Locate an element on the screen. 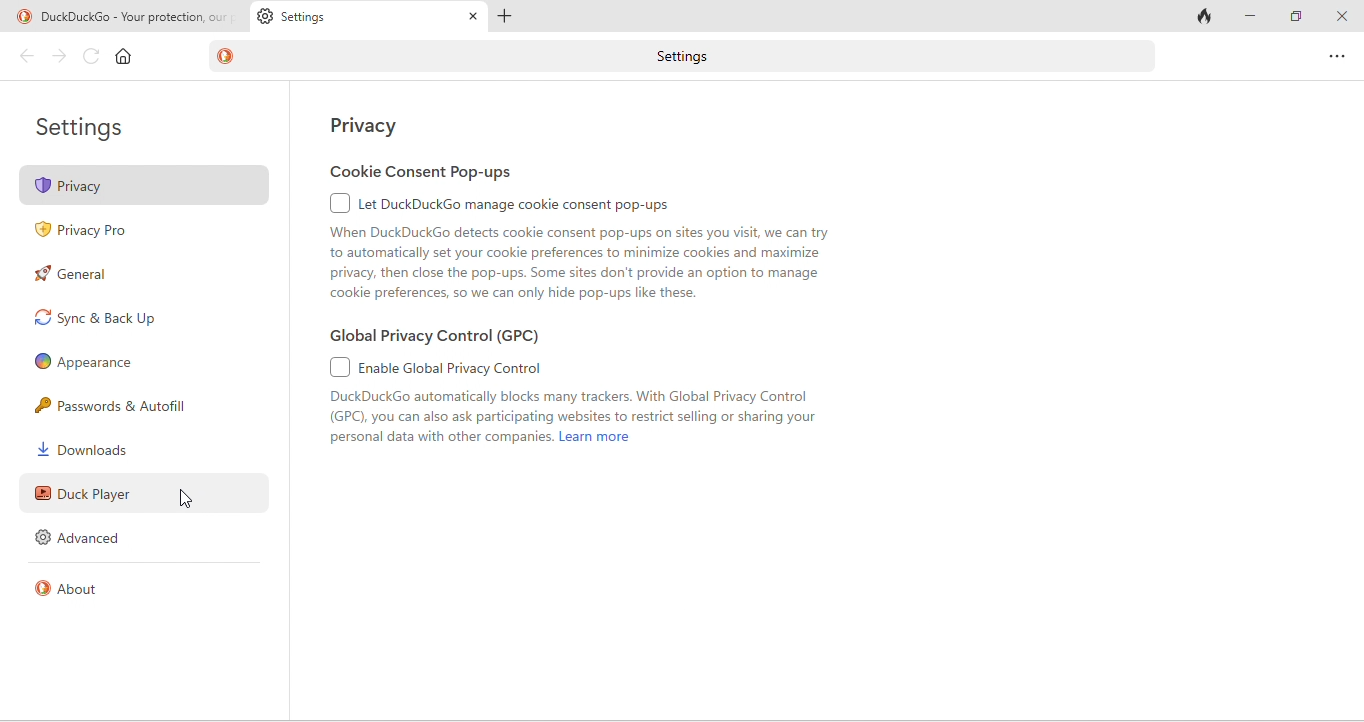  general is located at coordinates (79, 275).